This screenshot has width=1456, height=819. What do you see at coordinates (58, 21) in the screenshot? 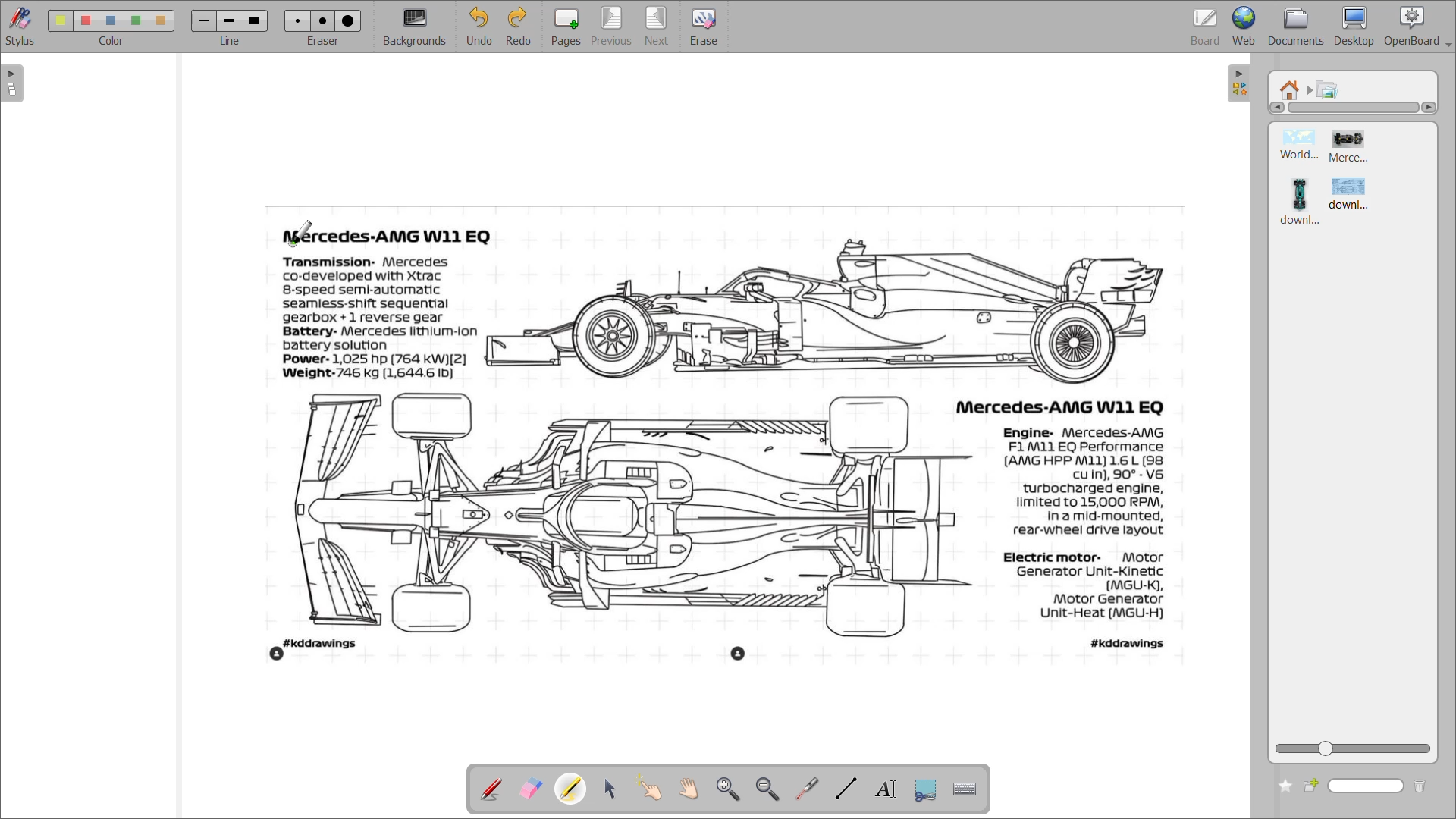
I see `color 1` at bounding box center [58, 21].